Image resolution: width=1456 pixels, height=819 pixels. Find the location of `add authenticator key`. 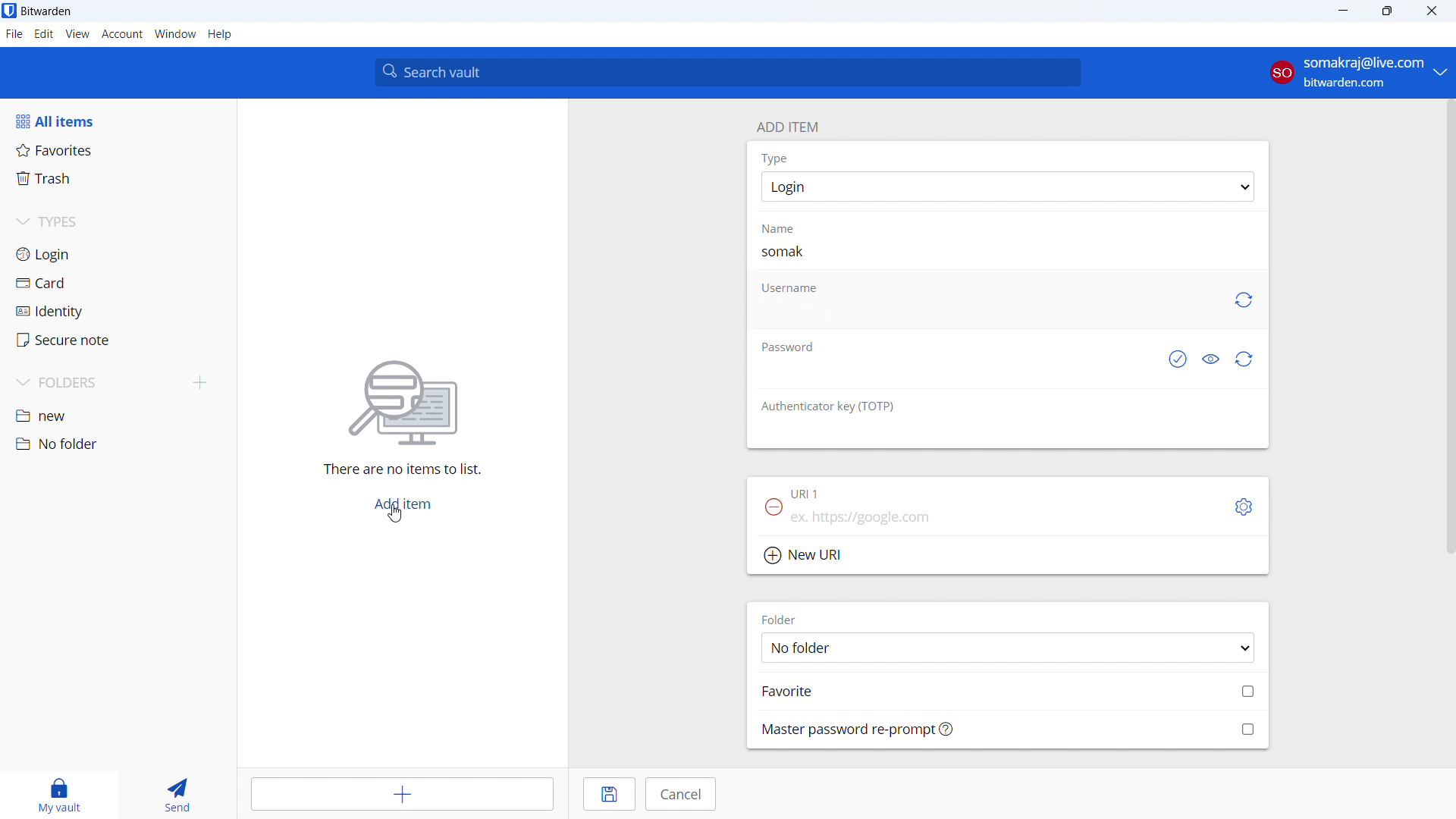

add authenticator key is located at coordinates (1007, 435).